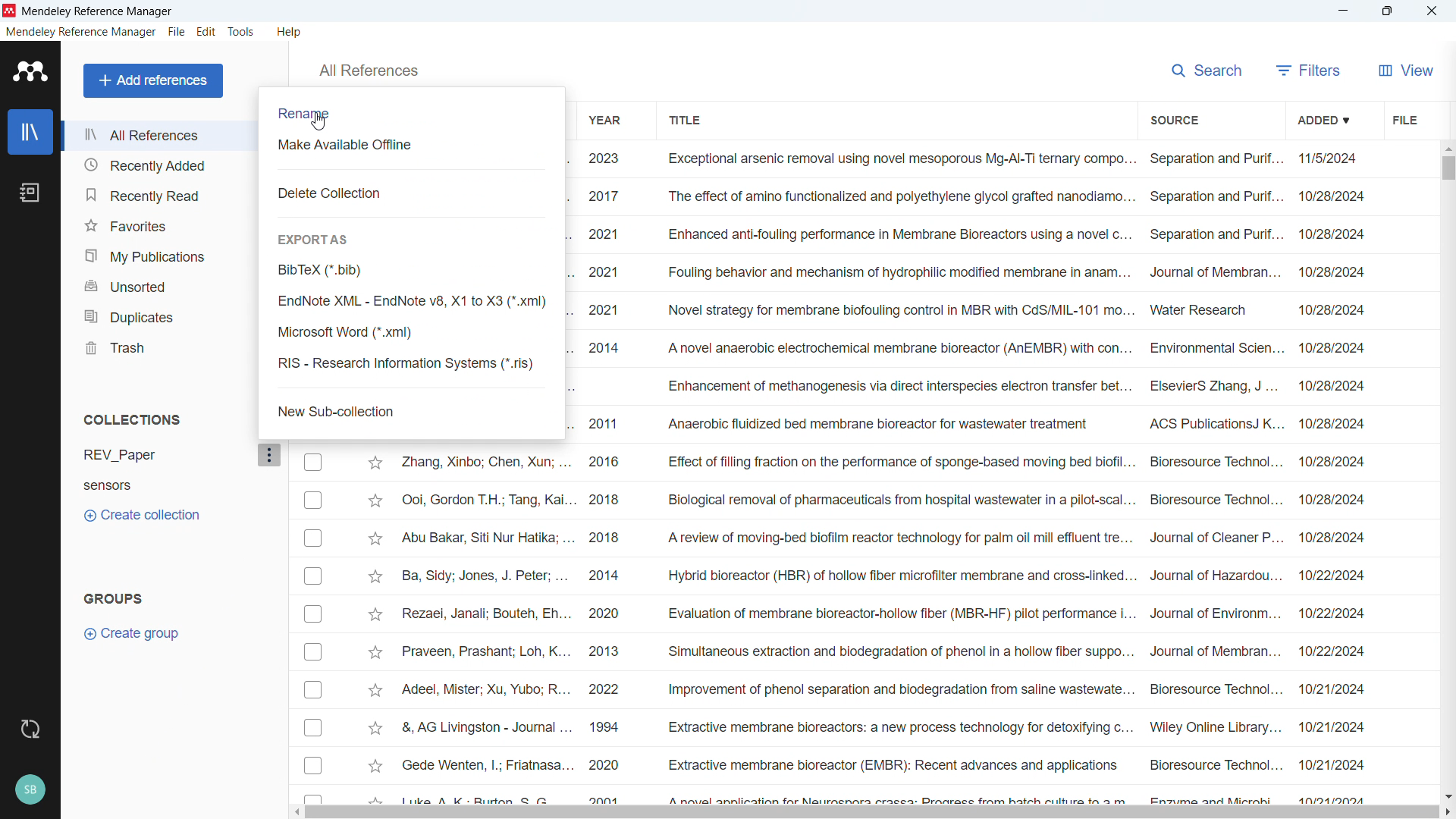 This screenshot has width=1456, height=819. What do you see at coordinates (413, 333) in the screenshot?
I see `Microsoft Word (*.xml)` at bounding box center [413, 333].